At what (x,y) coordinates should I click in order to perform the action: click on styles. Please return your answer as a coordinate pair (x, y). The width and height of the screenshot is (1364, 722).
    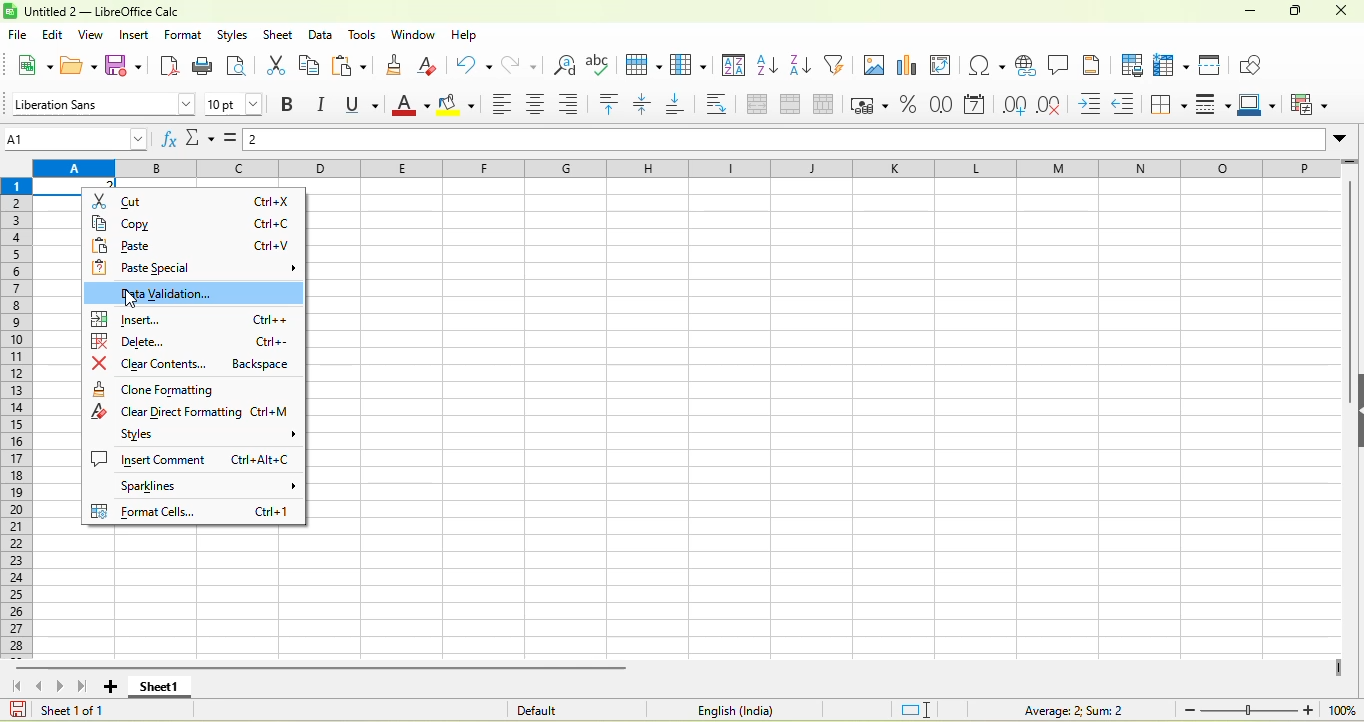
    Looking at the image, I should click on (230, 35).